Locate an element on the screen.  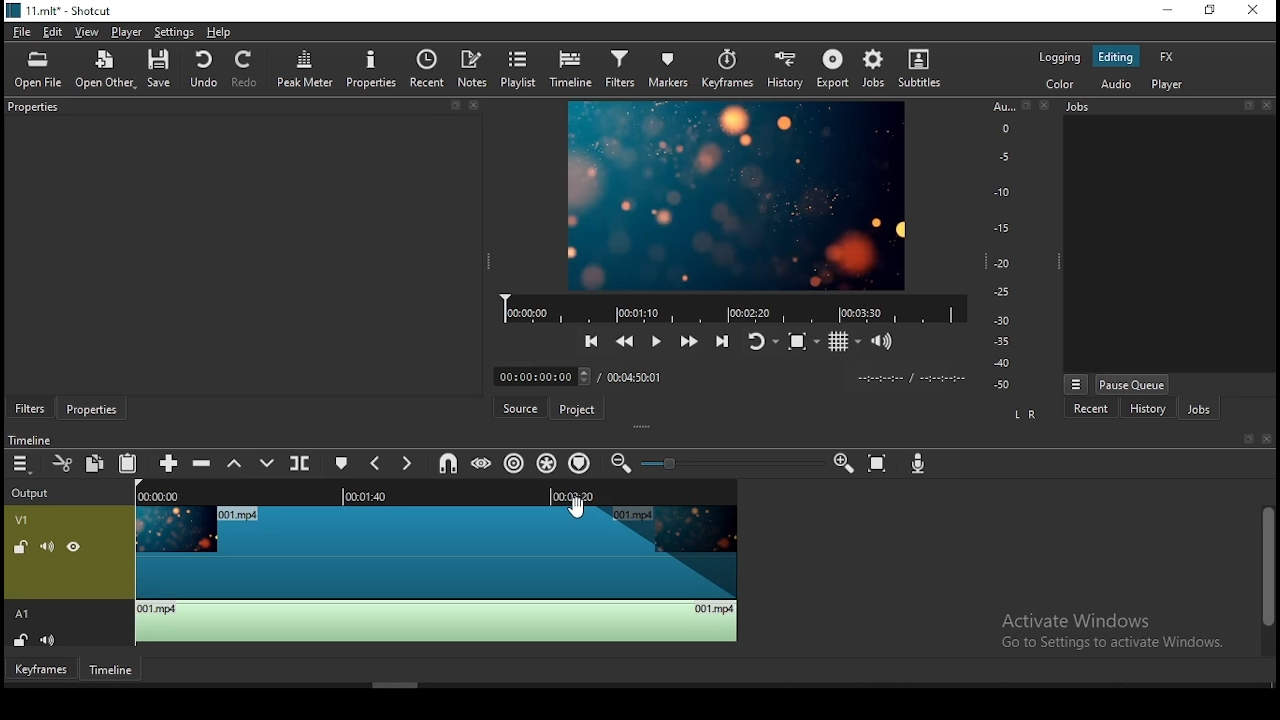
history is located at coordinates (782, 70).